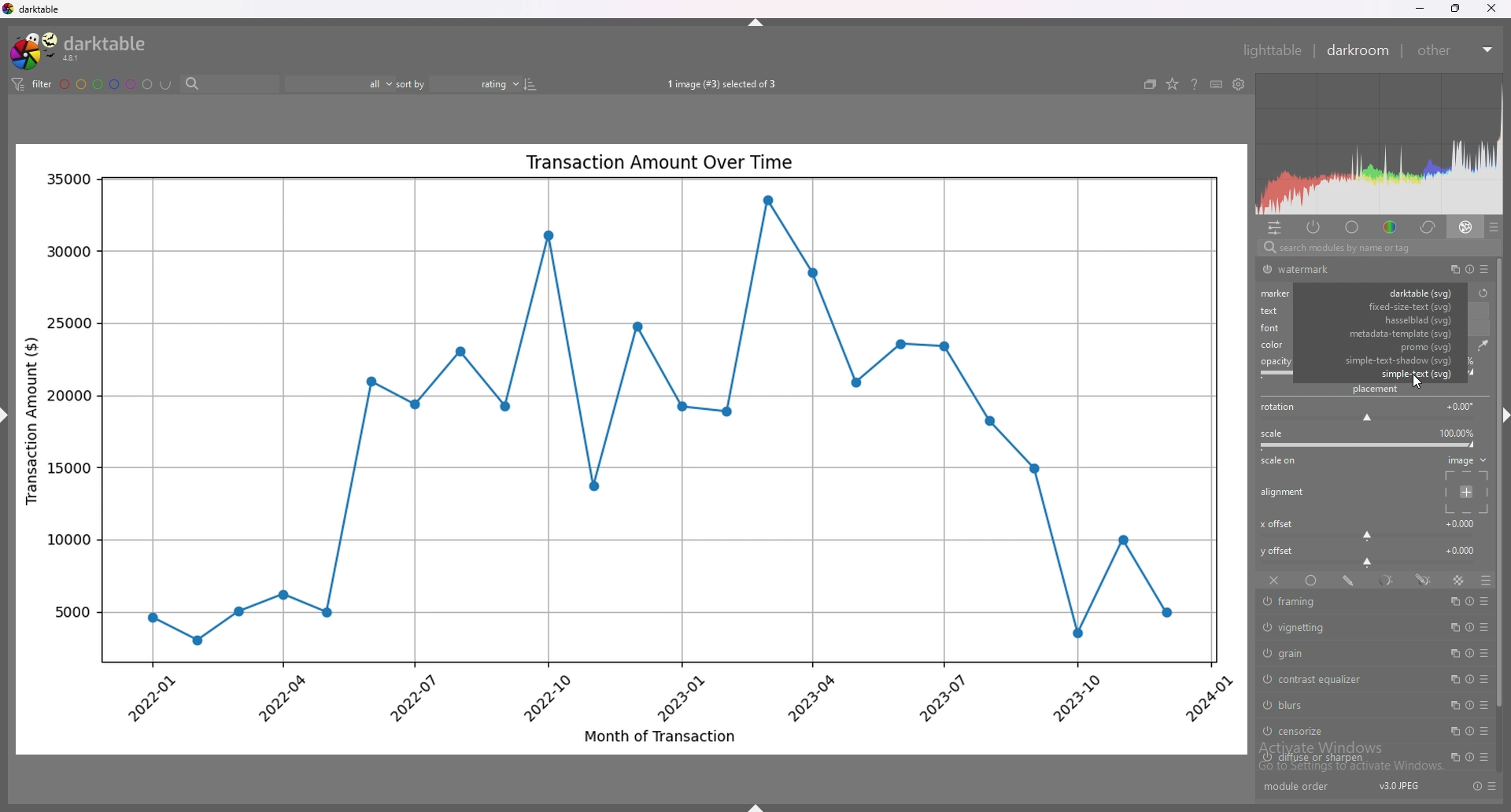 Image resolution: width=1511 pixels, height=812 pixels. What do you see at coordinates (1453, 680) in the screenshot?
I see `multiple instances action` at bounding box center [1453, 680].